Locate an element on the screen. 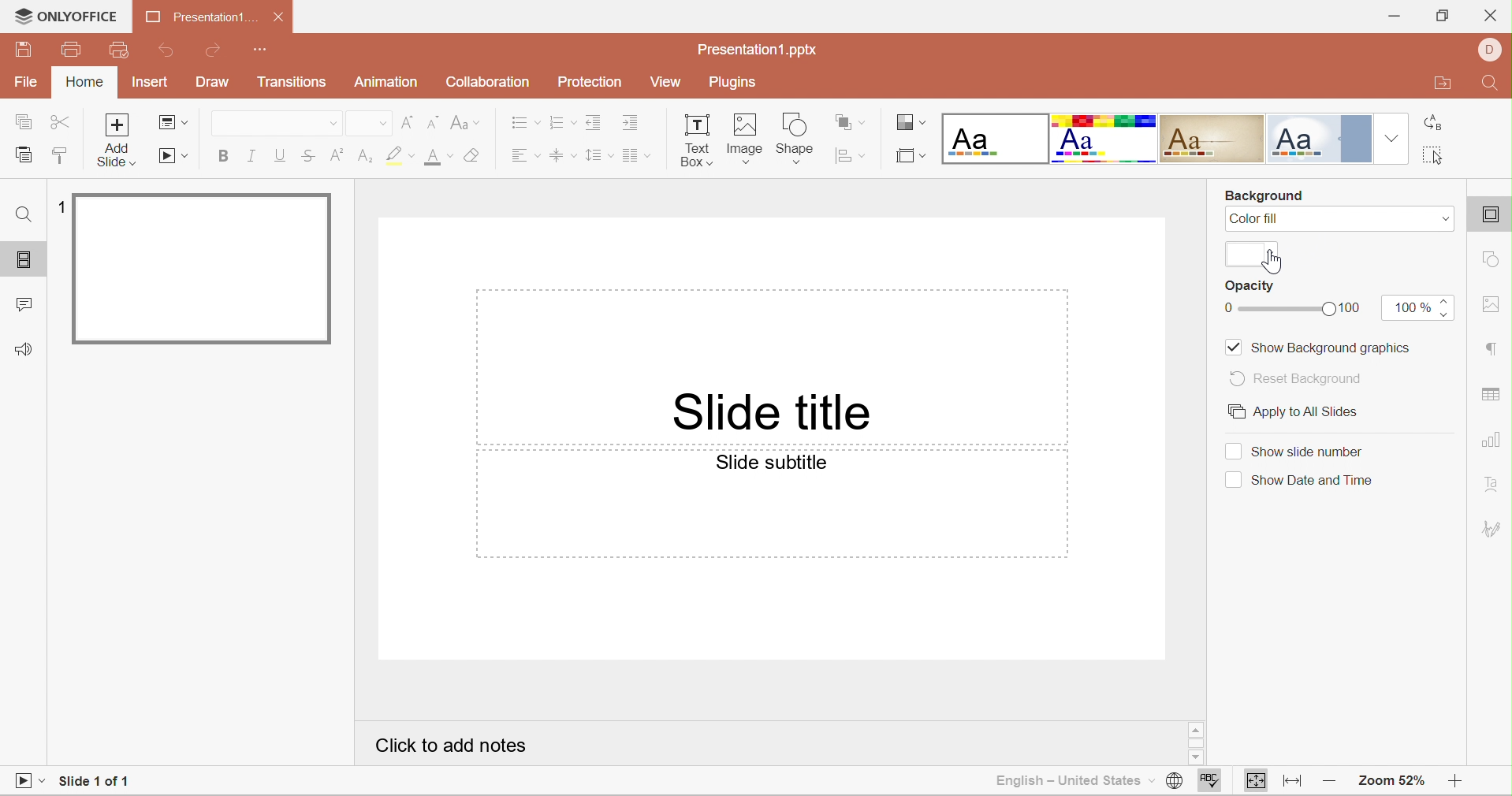 The width and height of the screenshot is (1512, 796). Classic is located at coordinates (1213, 141).